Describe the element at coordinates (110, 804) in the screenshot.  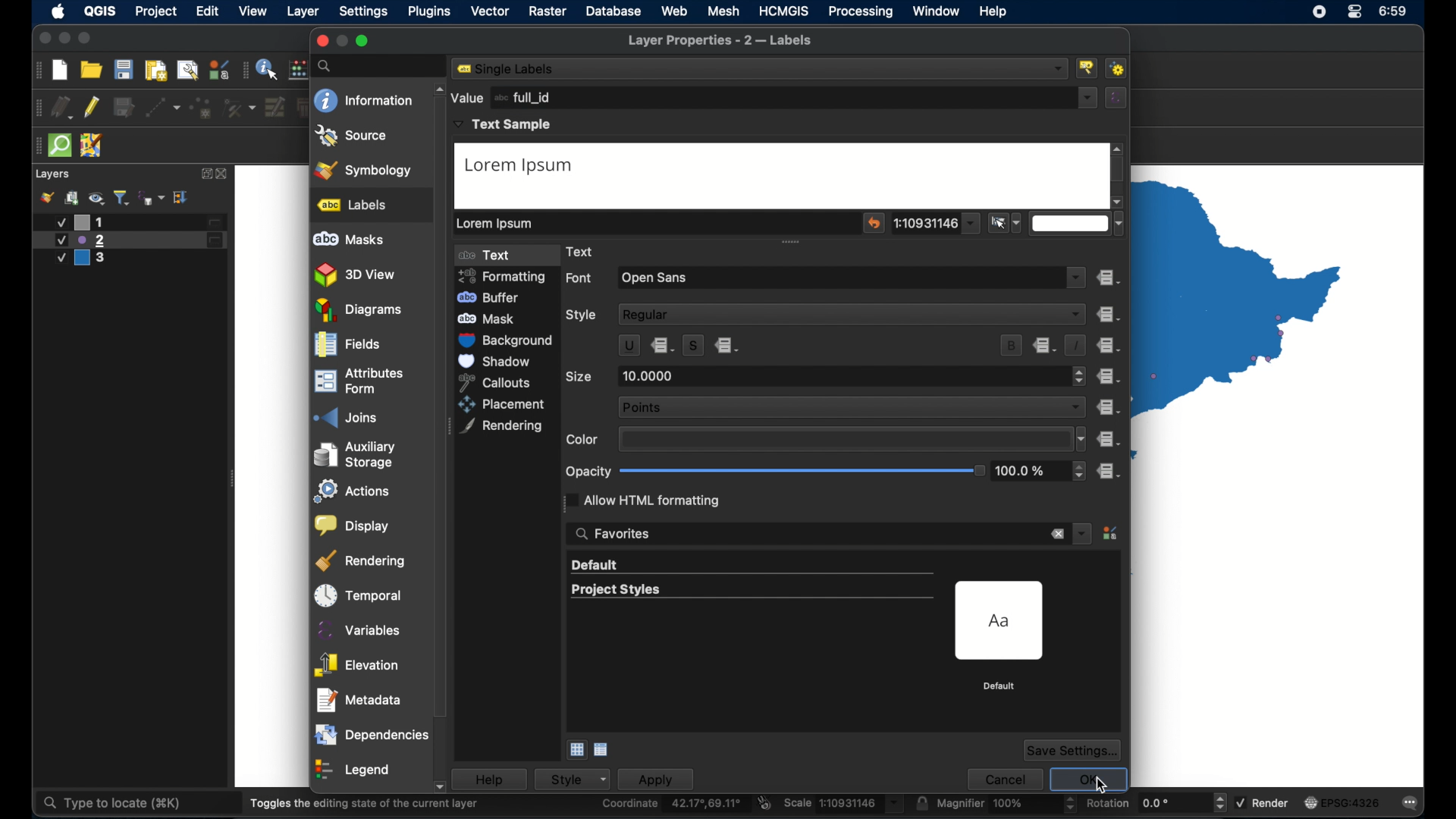
I see `type to locate` at that location.